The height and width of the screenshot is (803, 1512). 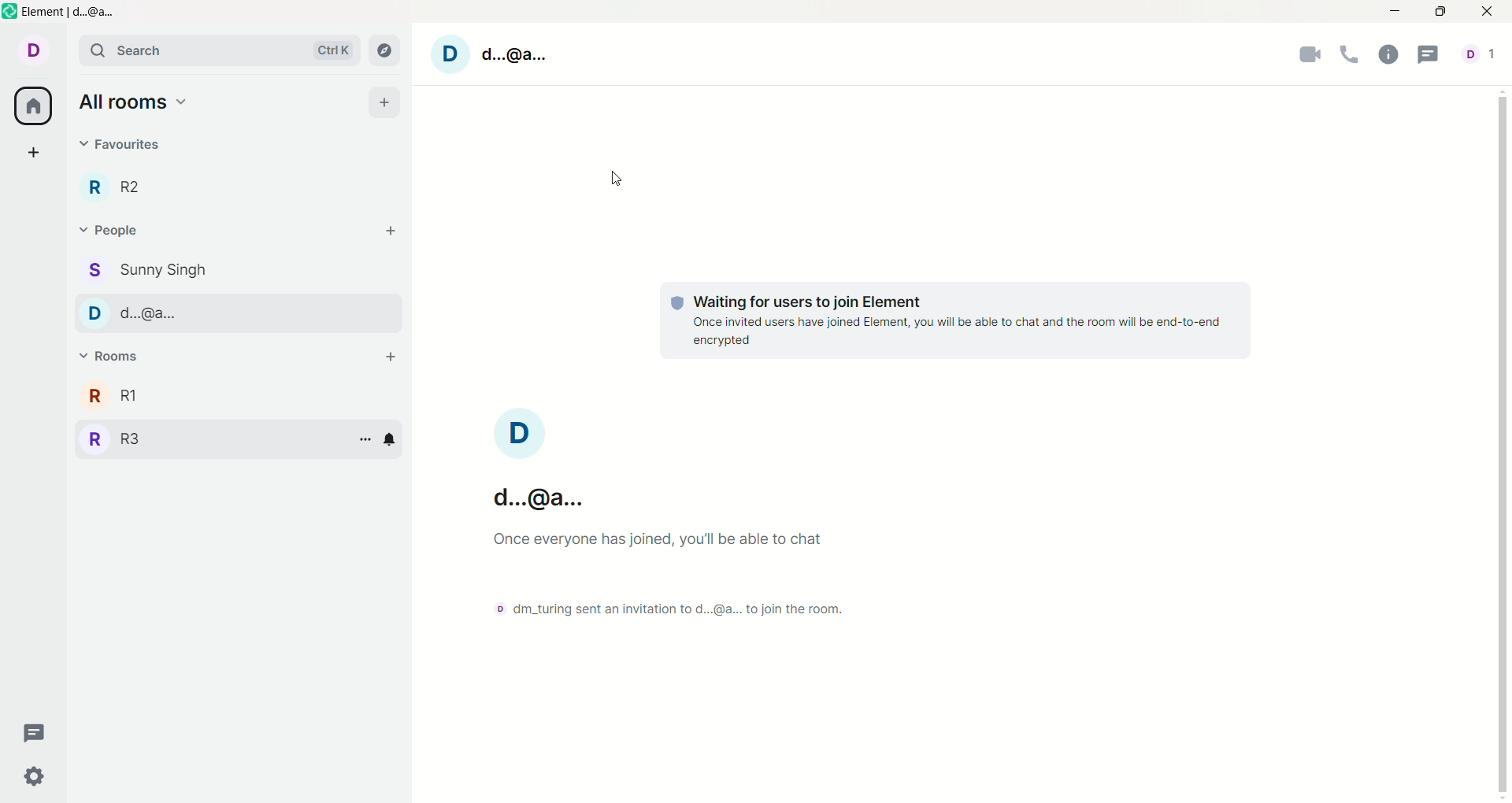 I want to click on Sunny Singh chat, so click(x=143, y=271).